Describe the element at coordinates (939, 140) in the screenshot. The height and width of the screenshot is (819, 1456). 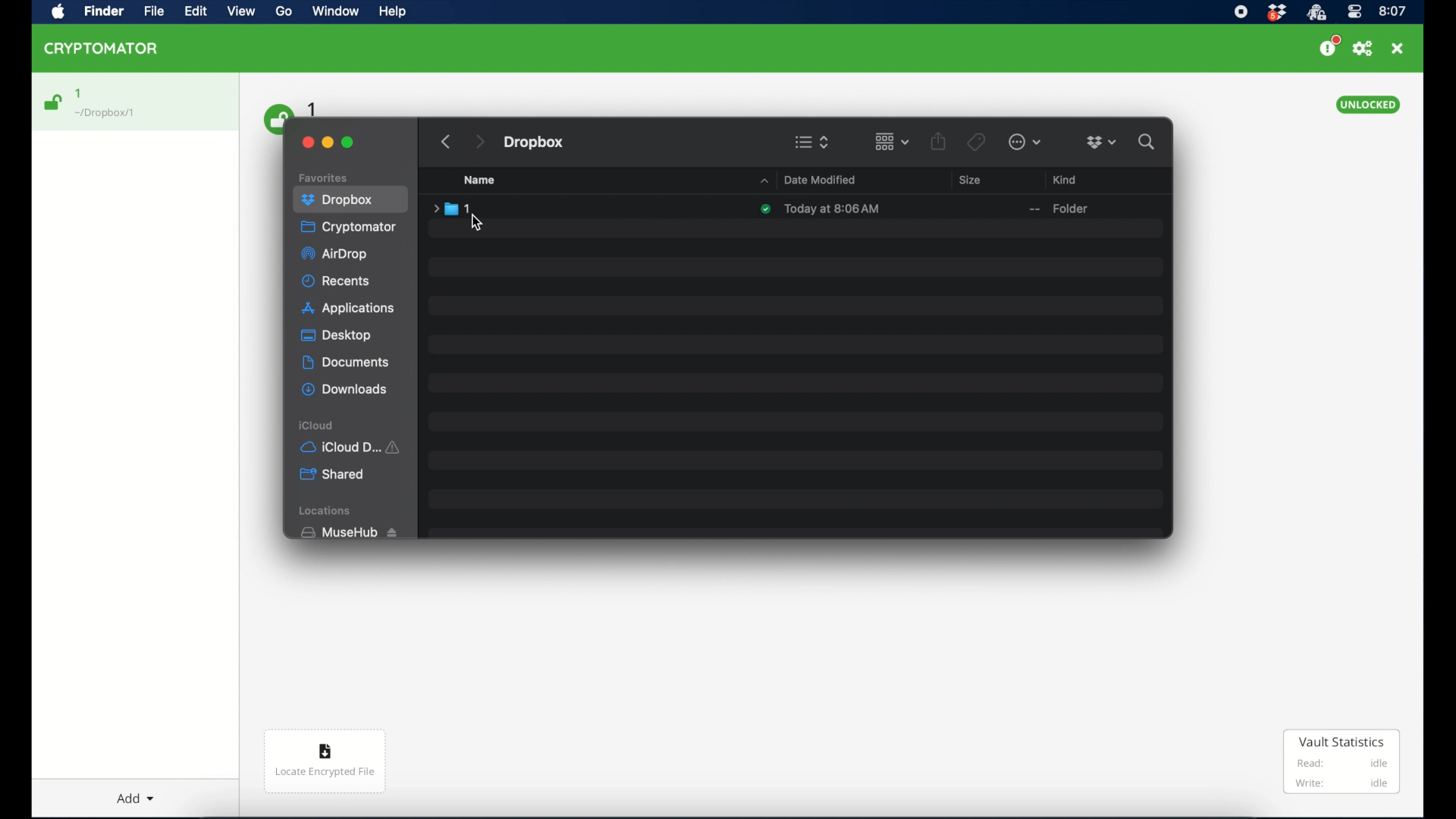
I see `share` at that location.